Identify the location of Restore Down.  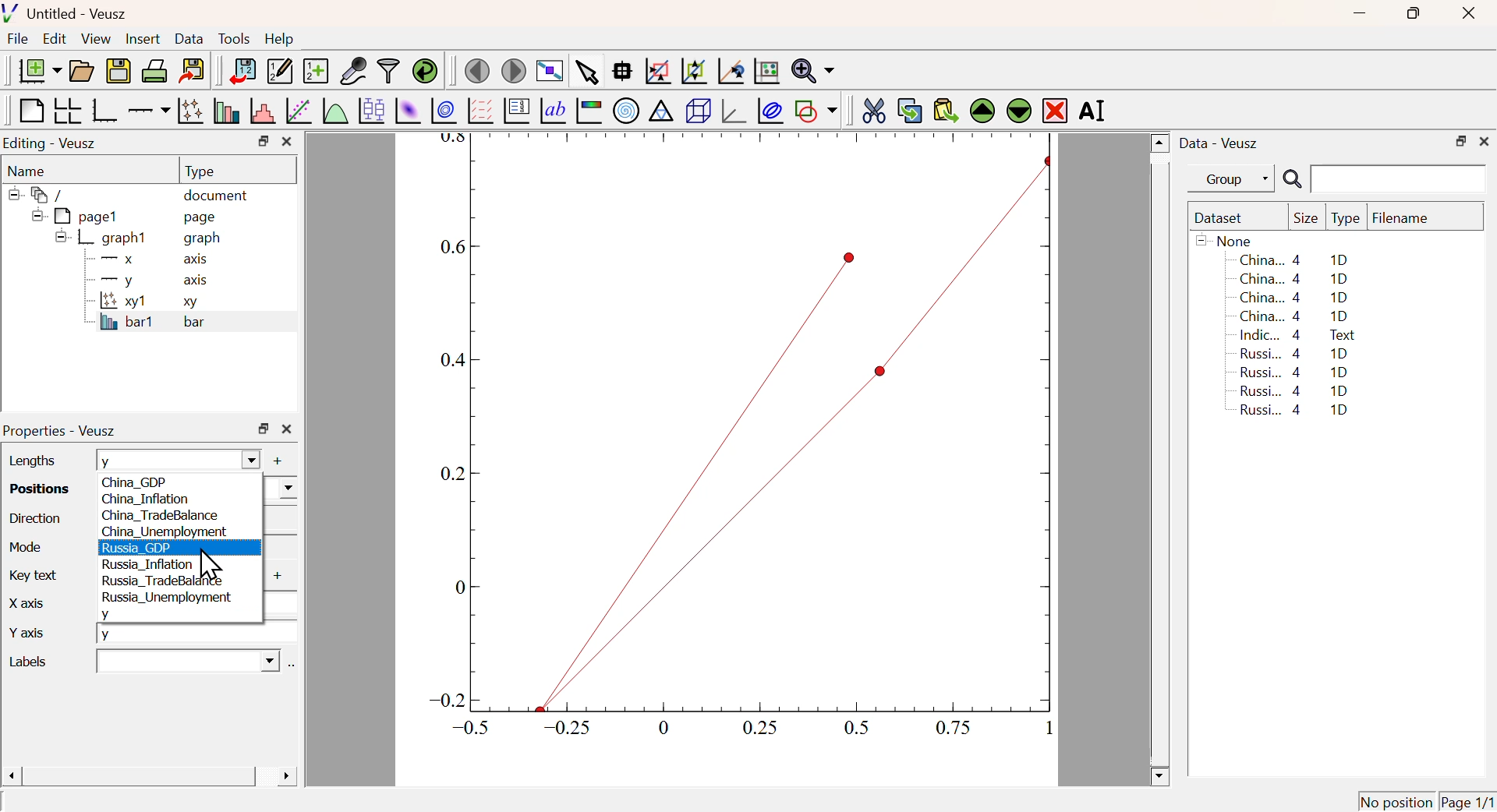
(263, 141).